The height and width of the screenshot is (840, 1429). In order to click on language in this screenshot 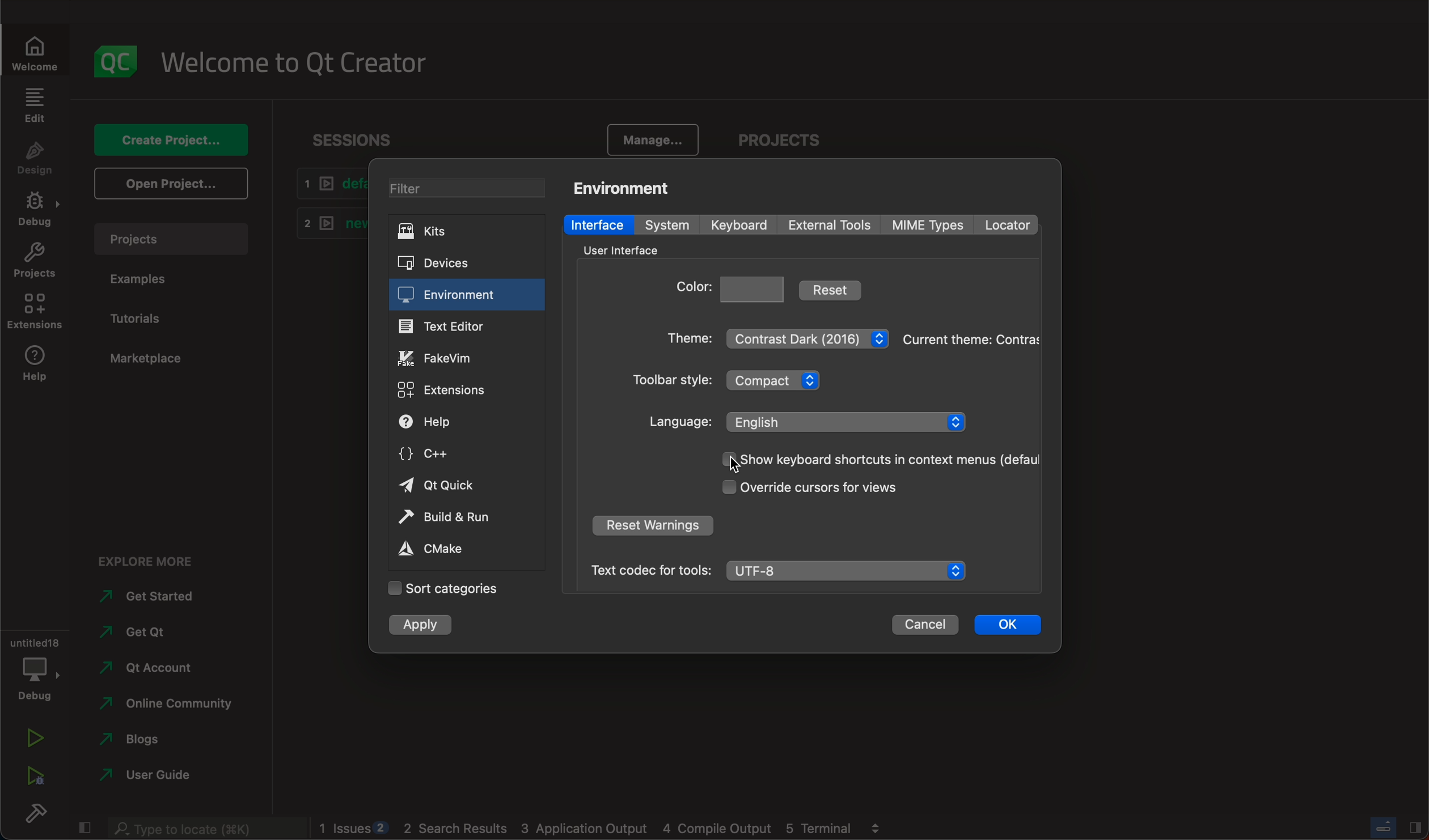, I will do `click(807, 421)`.